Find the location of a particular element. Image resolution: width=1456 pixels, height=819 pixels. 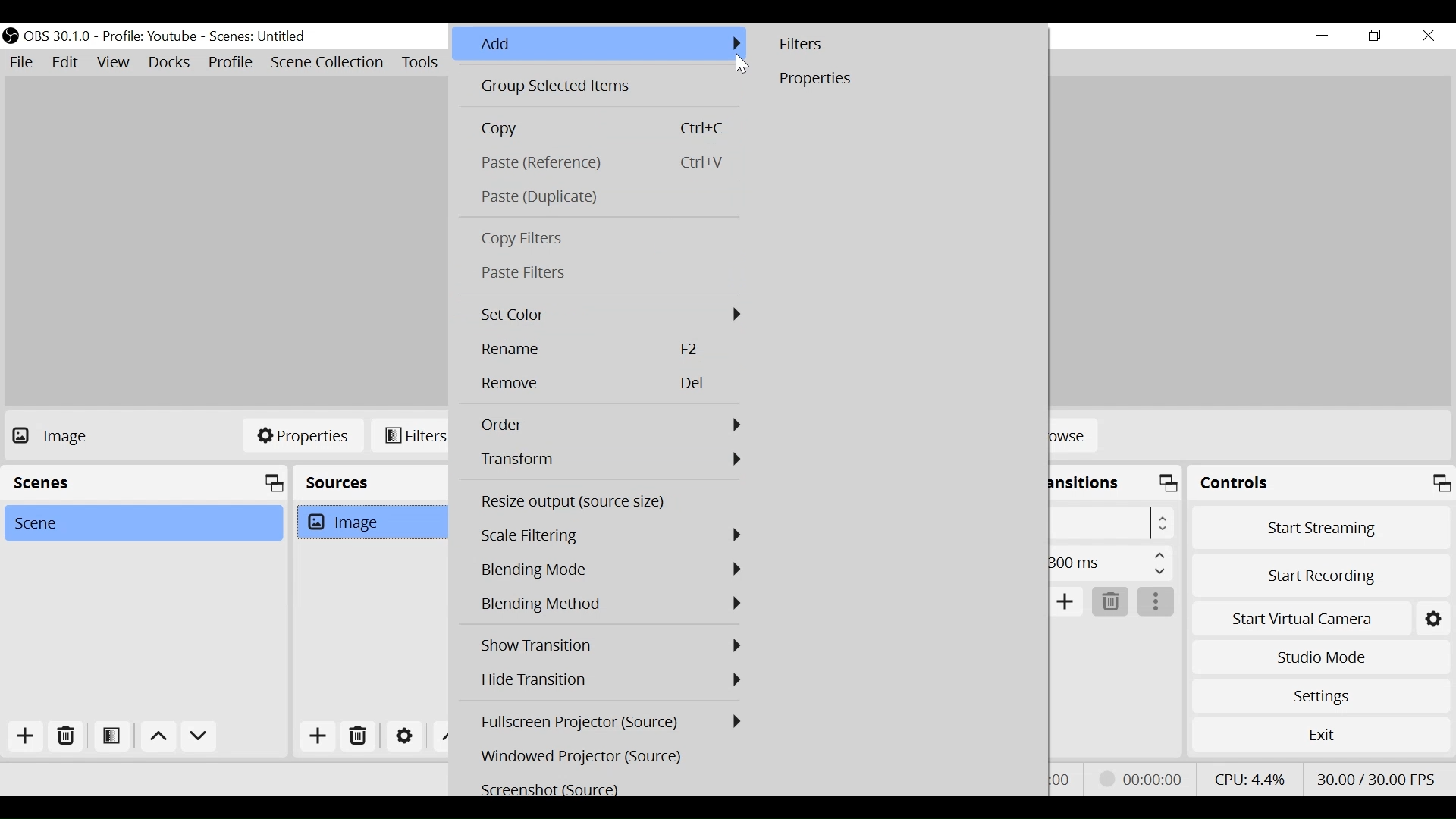

Browse is located at coordinates (1077, 436).